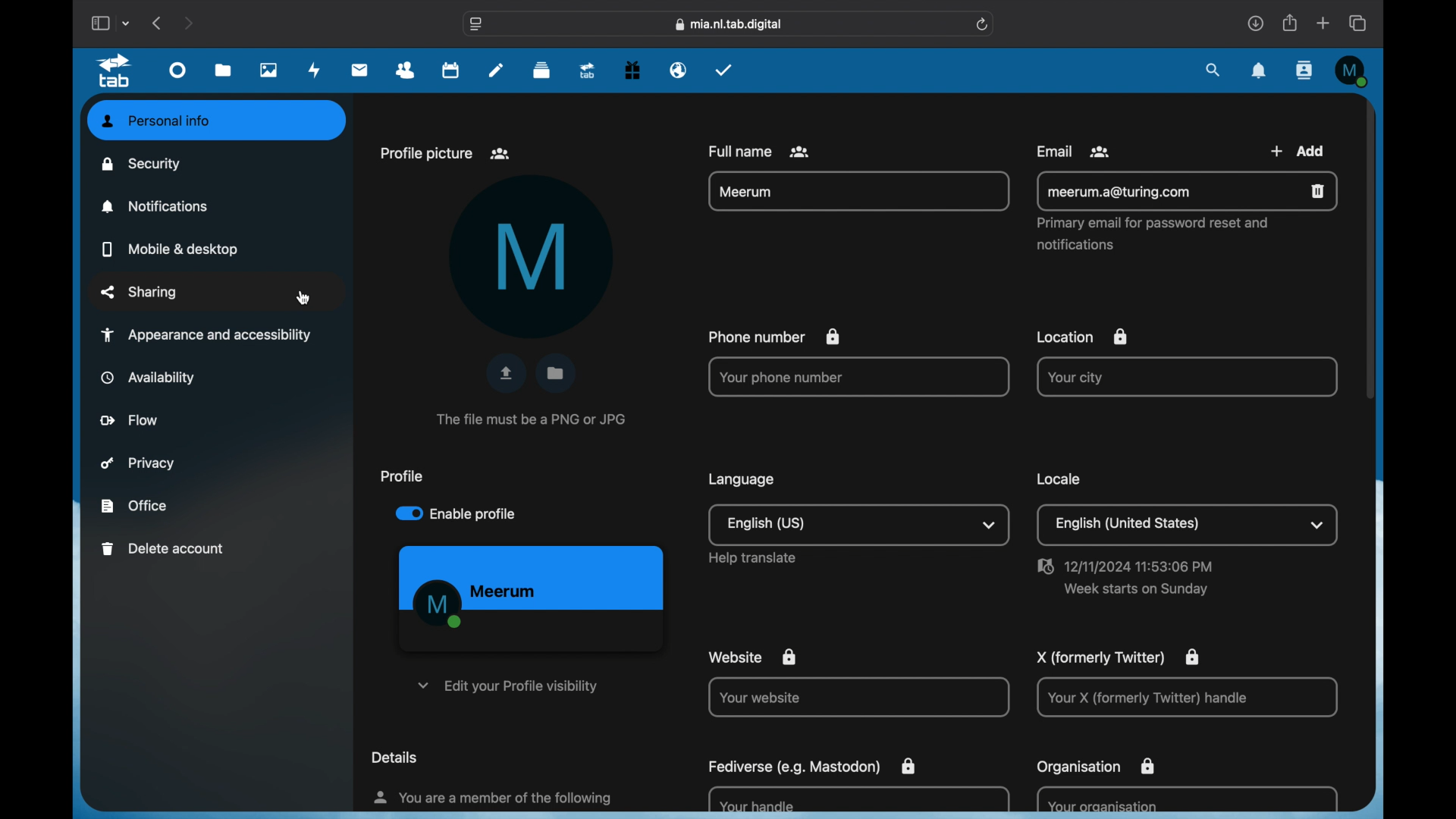 This screenshot has width=1456, height=819. I want to click on tab, so click(115, 71).